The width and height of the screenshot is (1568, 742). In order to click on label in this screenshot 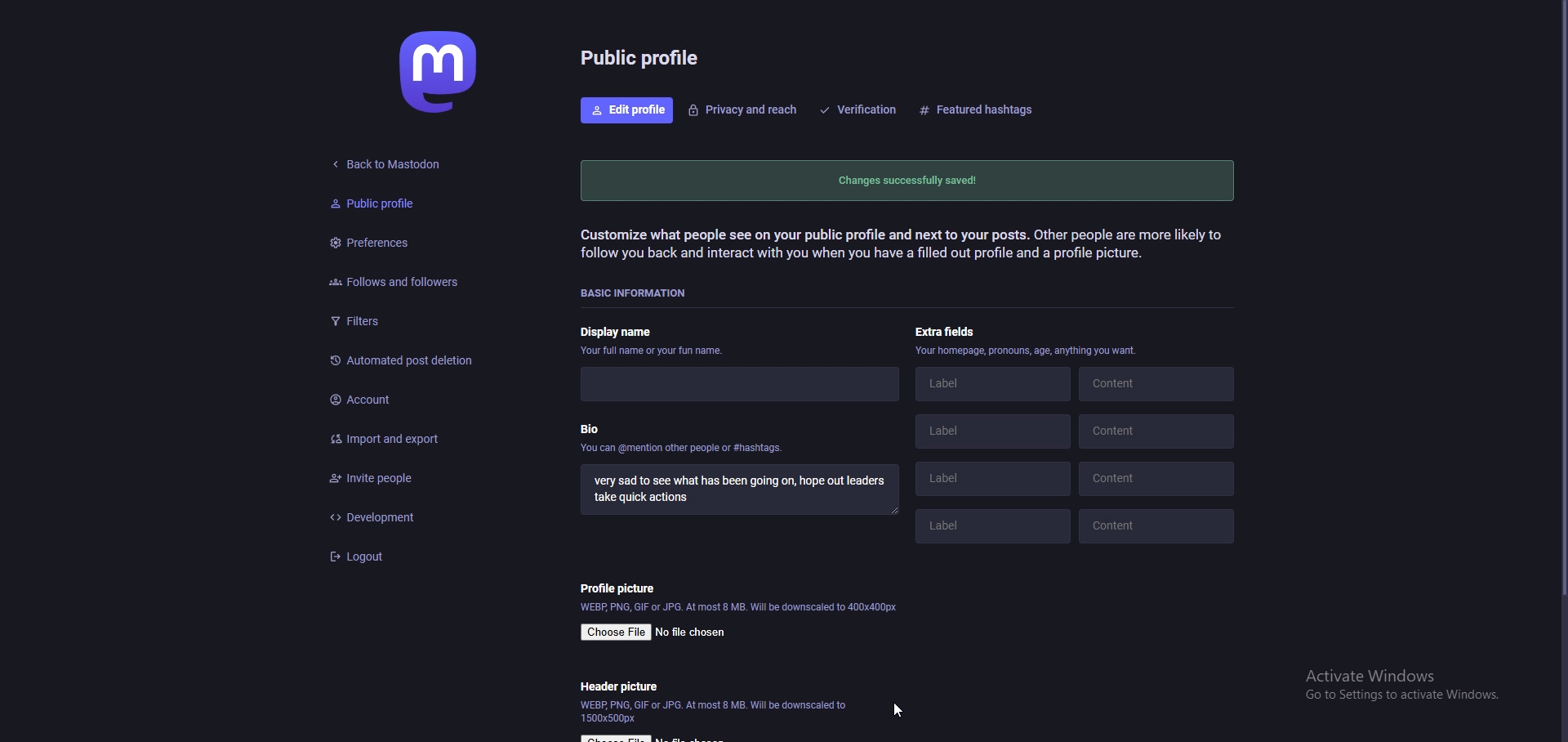, I will do `click(993, 318)`.